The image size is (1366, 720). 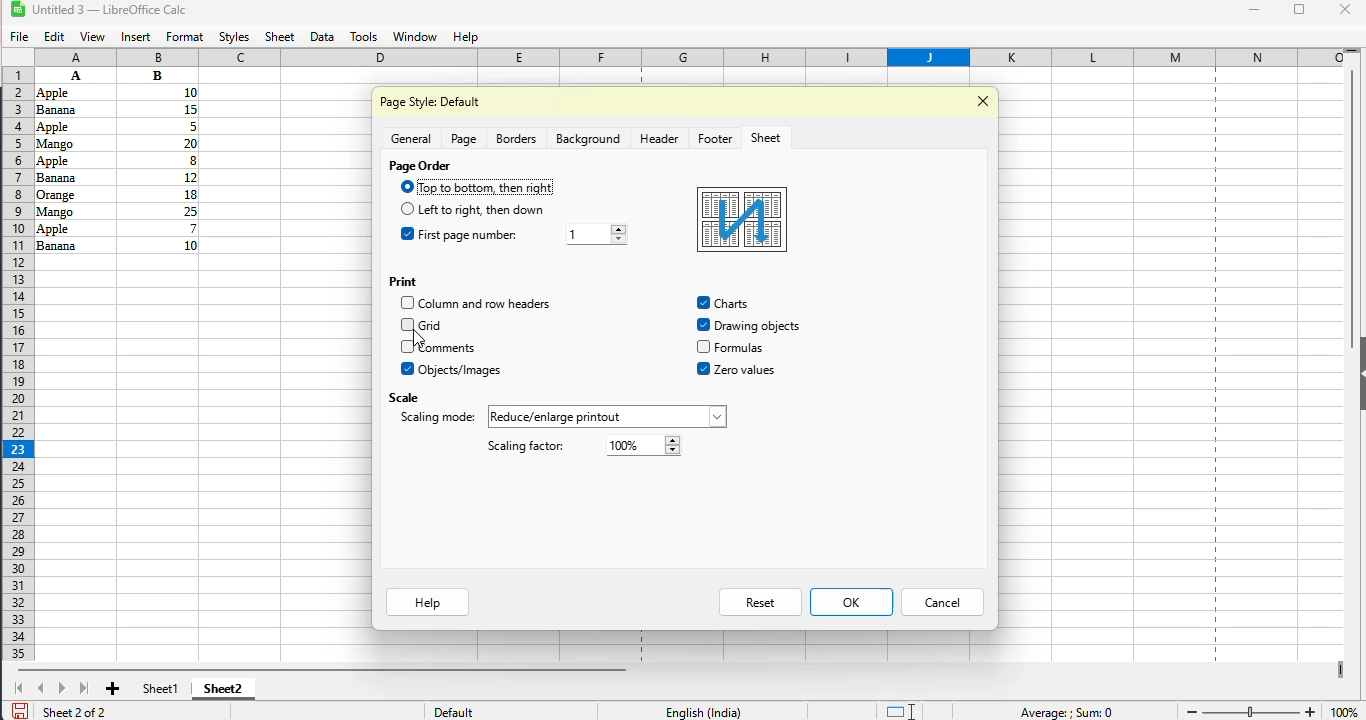 I want to click on show, so click(x=1357, y=373).